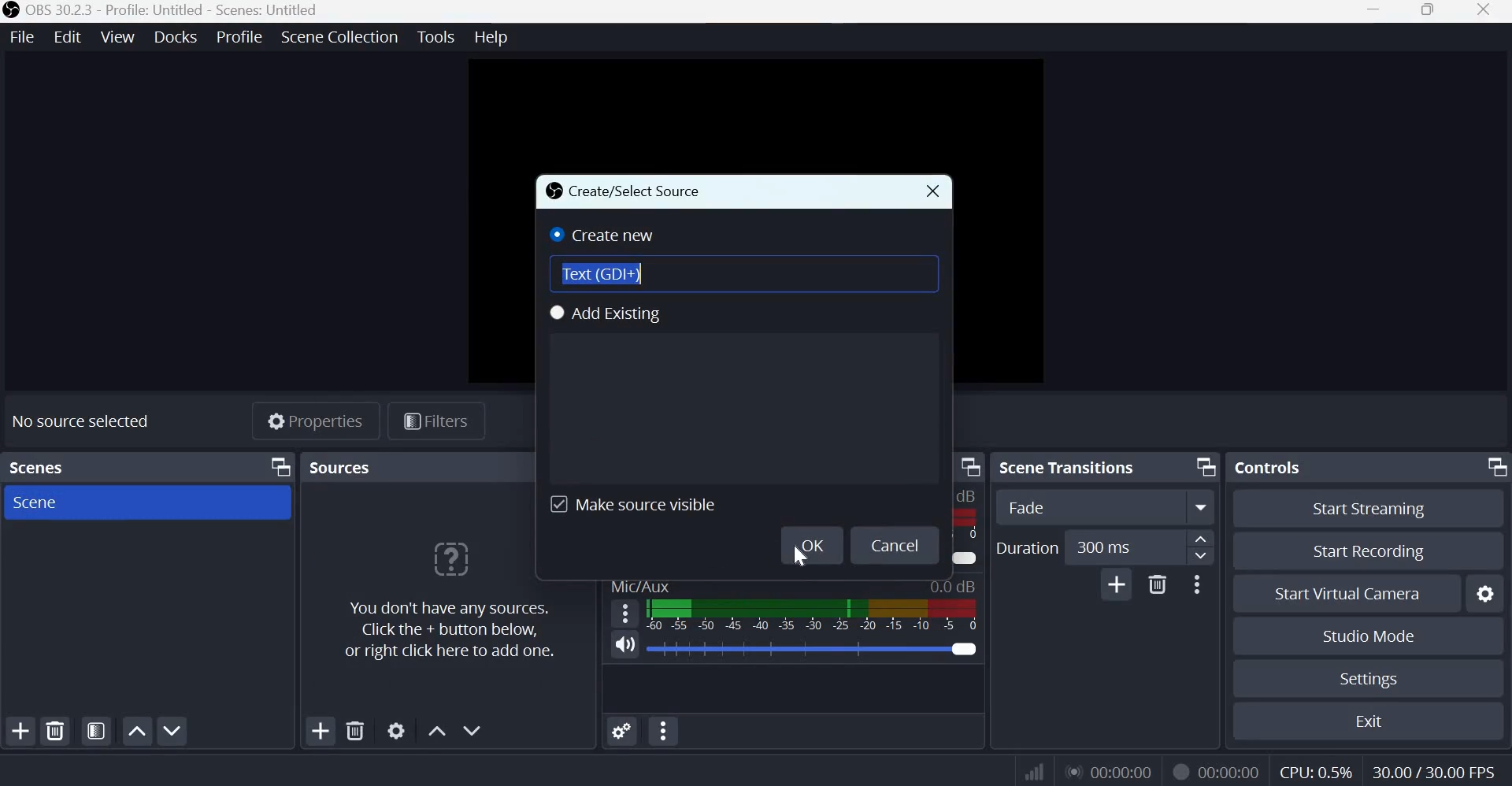  What do you see at coordinates (811, 546) in the screenshot?
I see `OK` at bounding box center [811, 546].